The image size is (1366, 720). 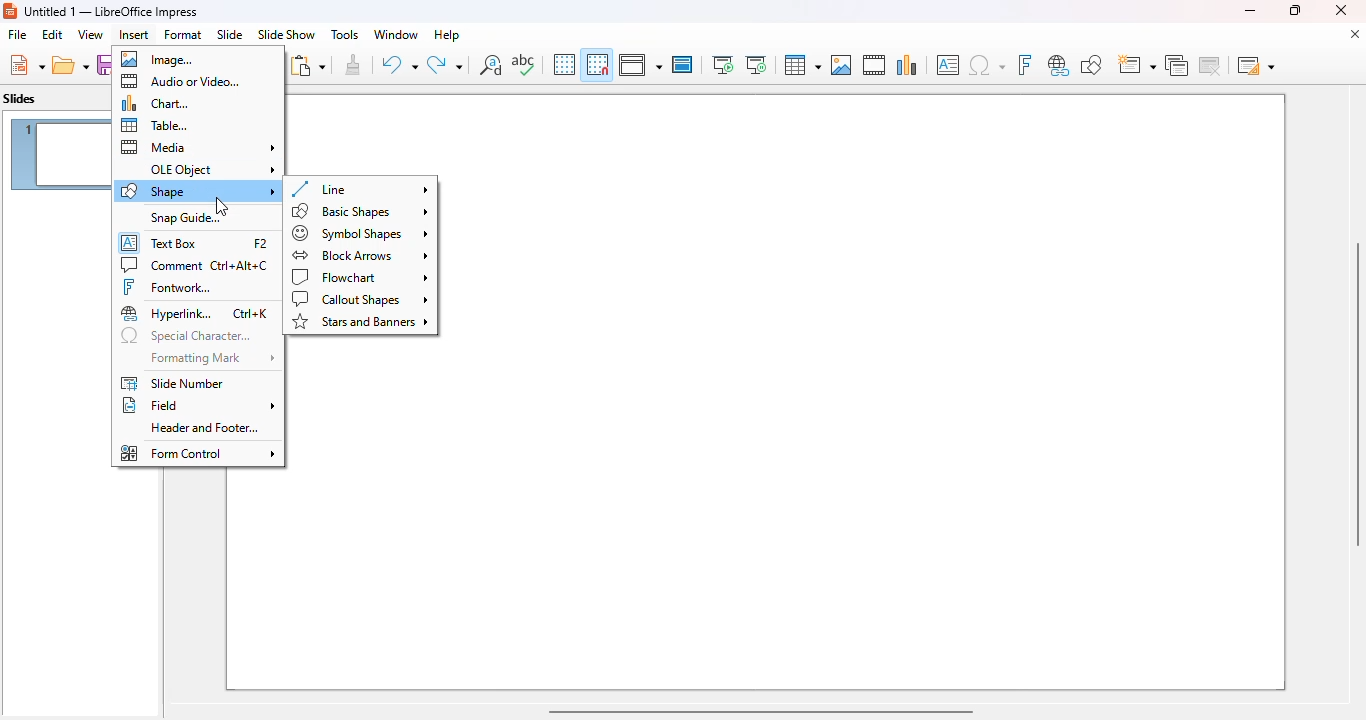 What do you see at coordinates (361, 300) in the screenshot?
I see `callout shapes` at bounding box center [361, 300].